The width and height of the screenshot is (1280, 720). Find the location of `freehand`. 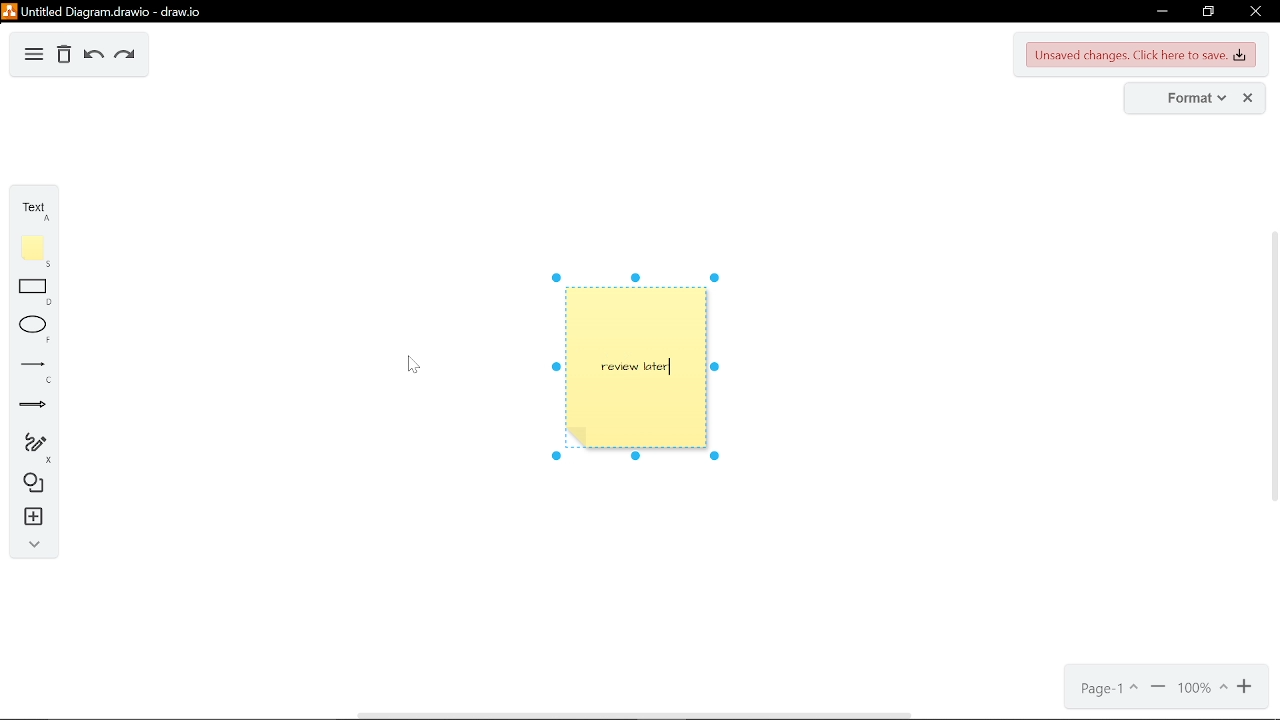

freehand is located at coordinates (32, 447).